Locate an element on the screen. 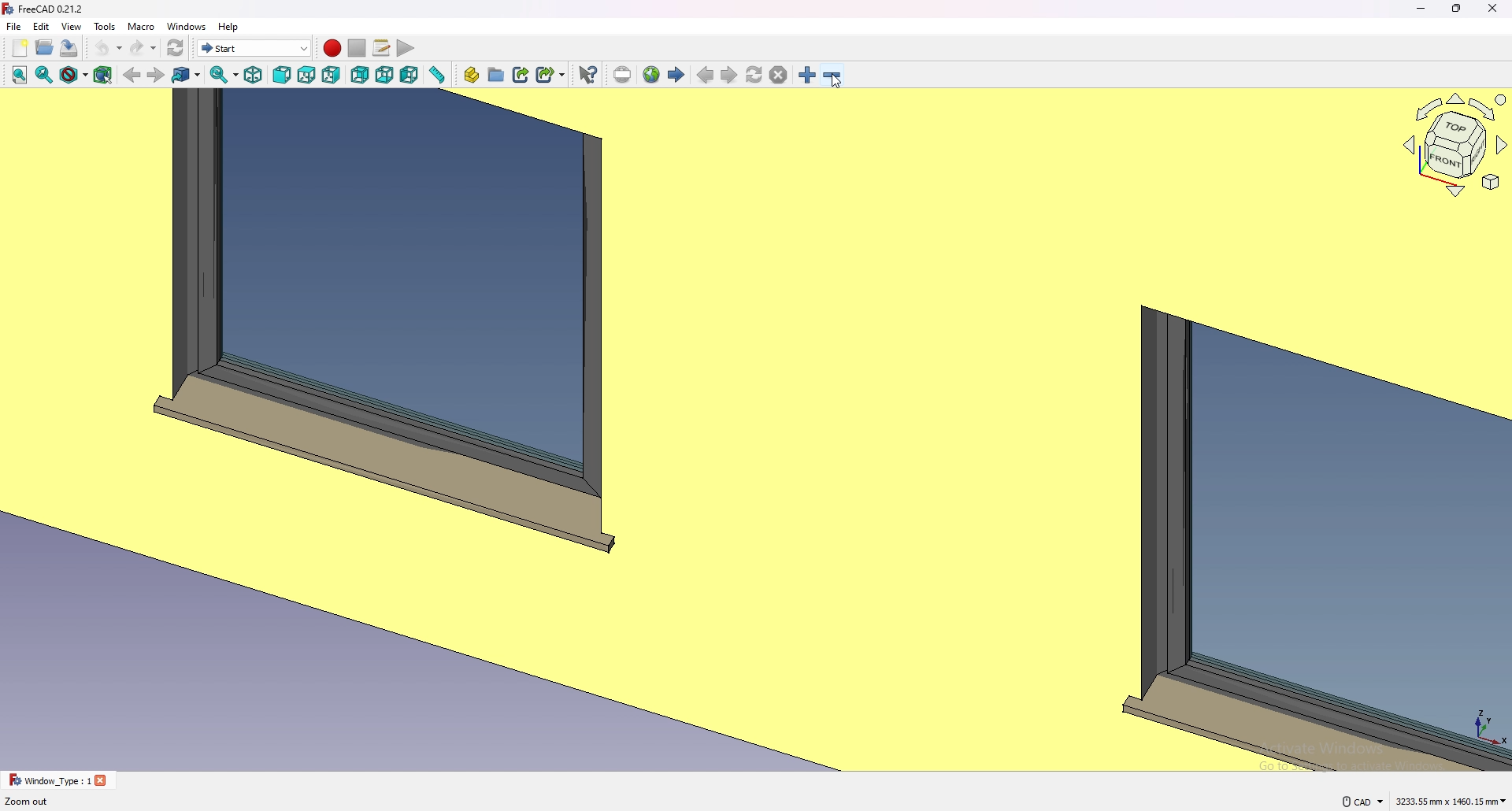  set url is located at coordinates (622, 76).